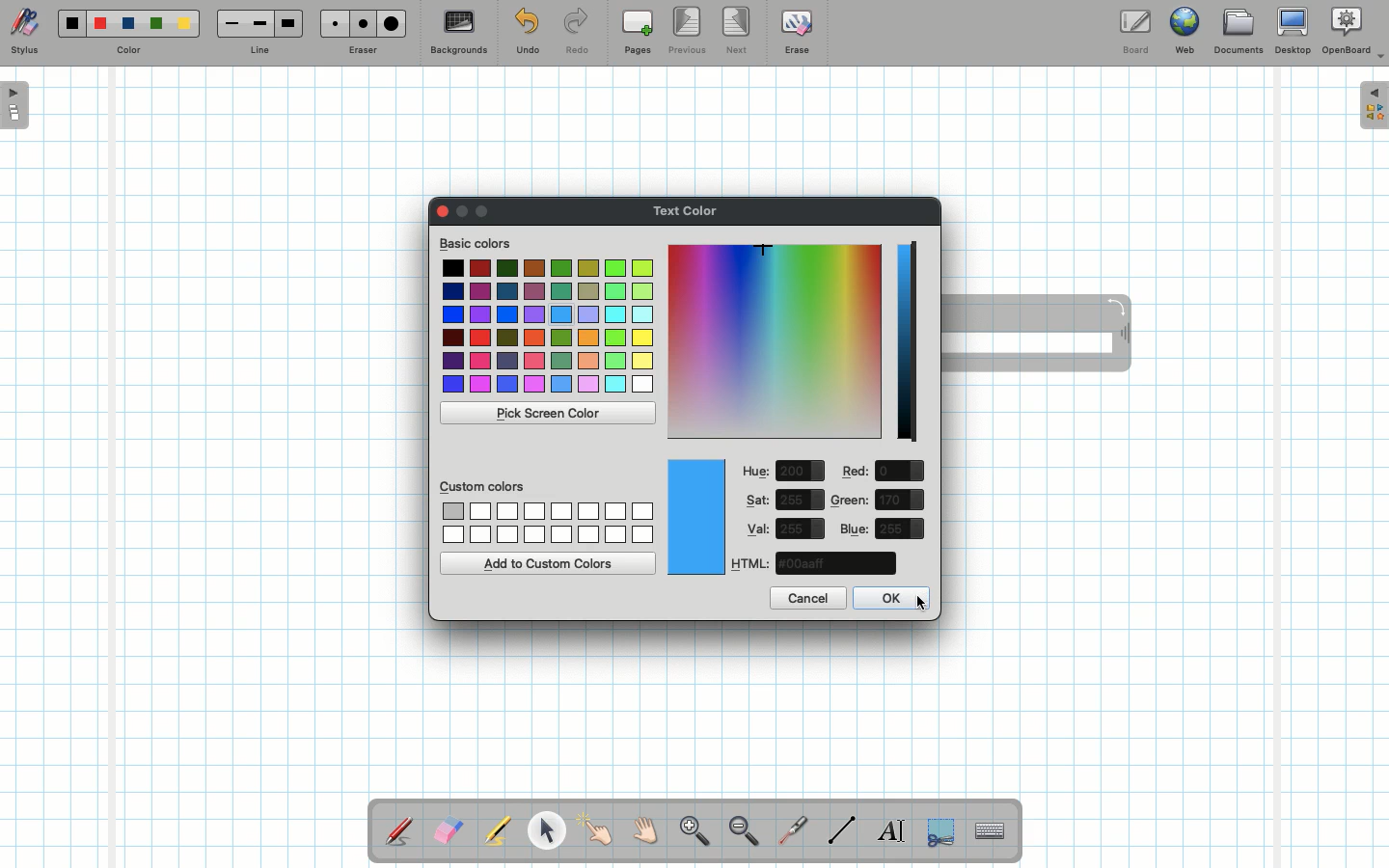 The image size is (1389, 868). I want to click on Clor, so click(437, 210).